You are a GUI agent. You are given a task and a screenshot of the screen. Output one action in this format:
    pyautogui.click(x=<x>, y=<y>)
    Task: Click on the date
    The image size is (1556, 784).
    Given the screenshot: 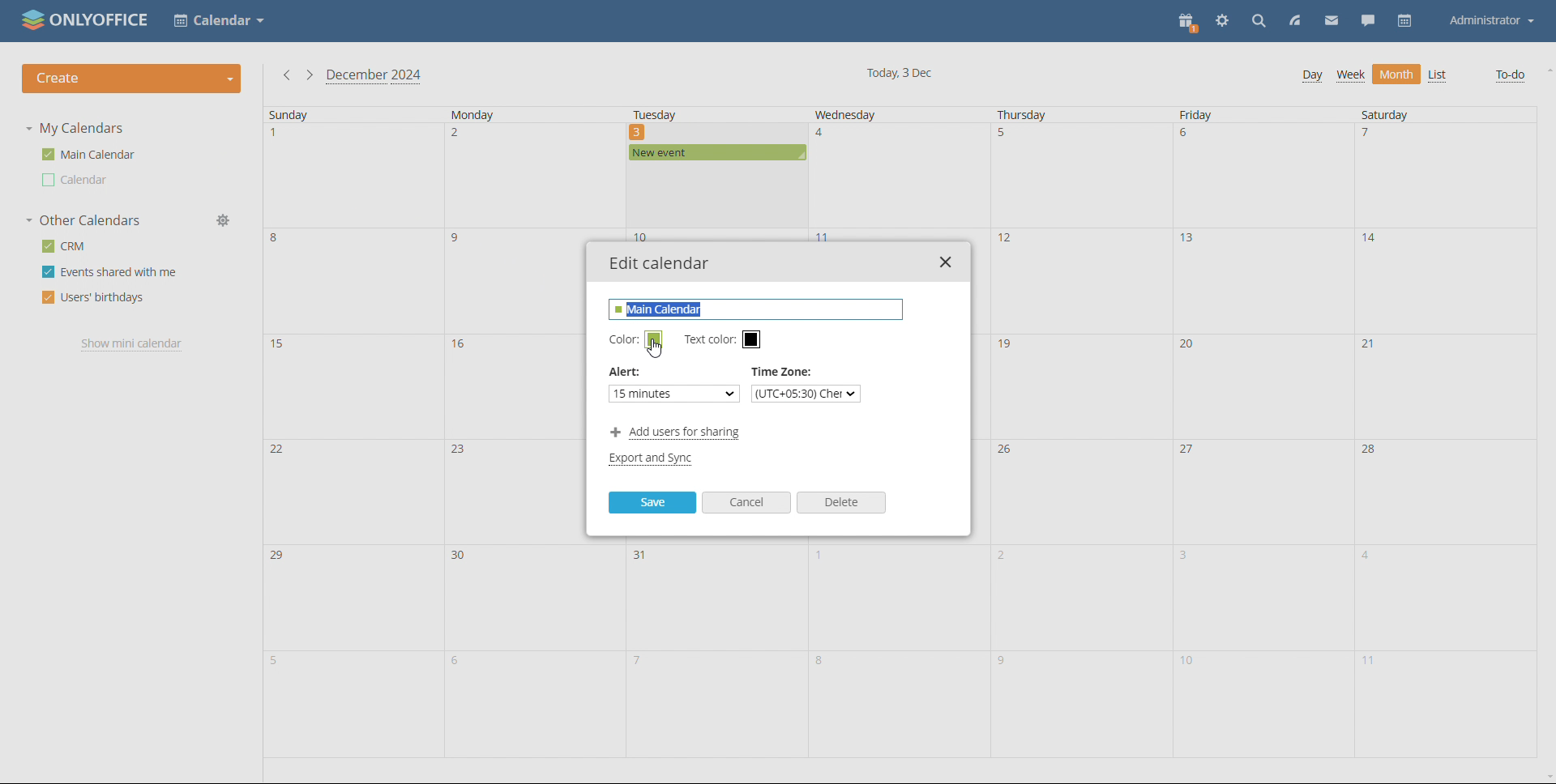 What is the action you would take?
    pyautogui.click(x=1077, y=597)
    